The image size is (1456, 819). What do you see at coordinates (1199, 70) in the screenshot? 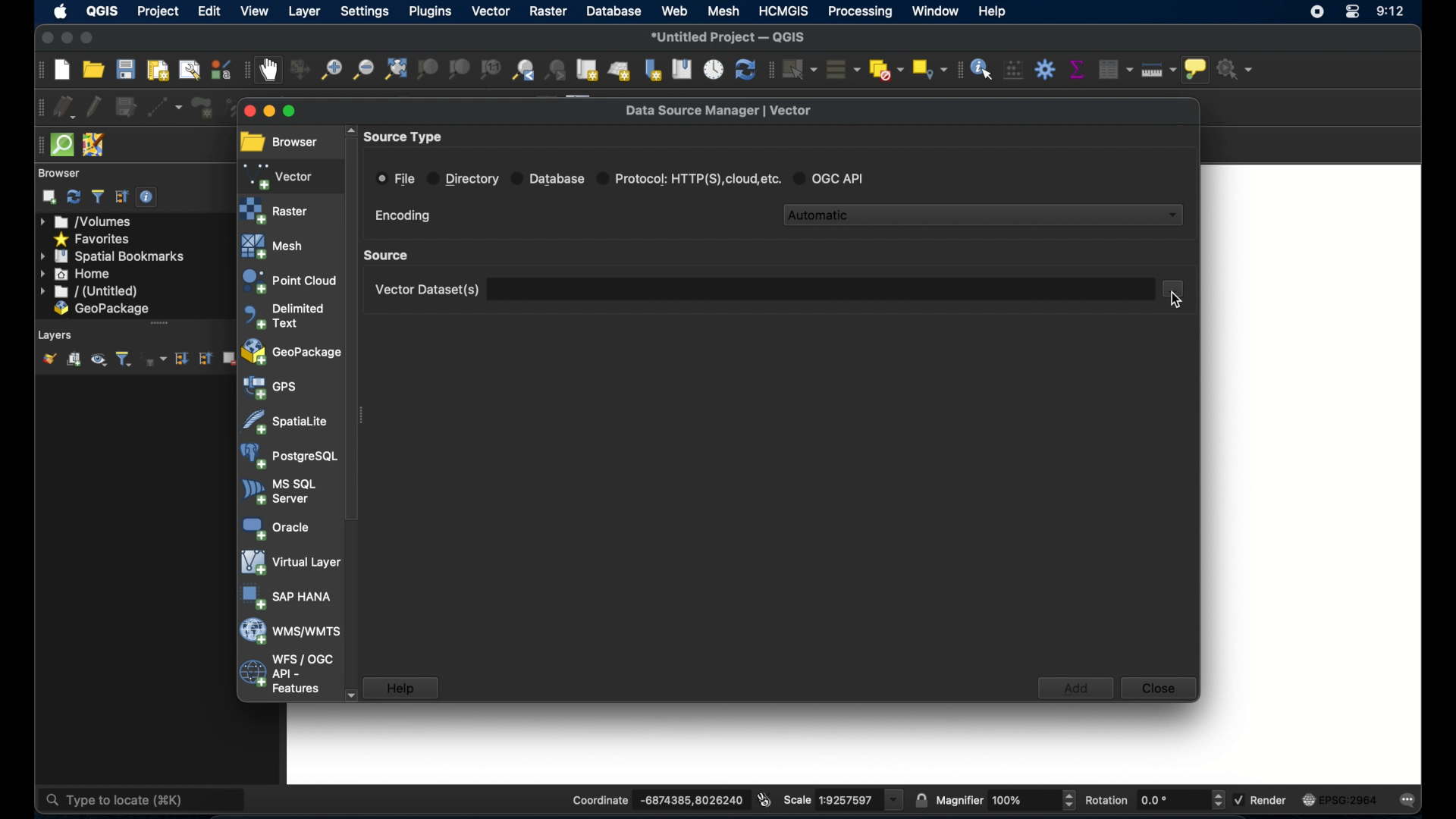
I see `show map tops` at bounding box center [1199, 70].